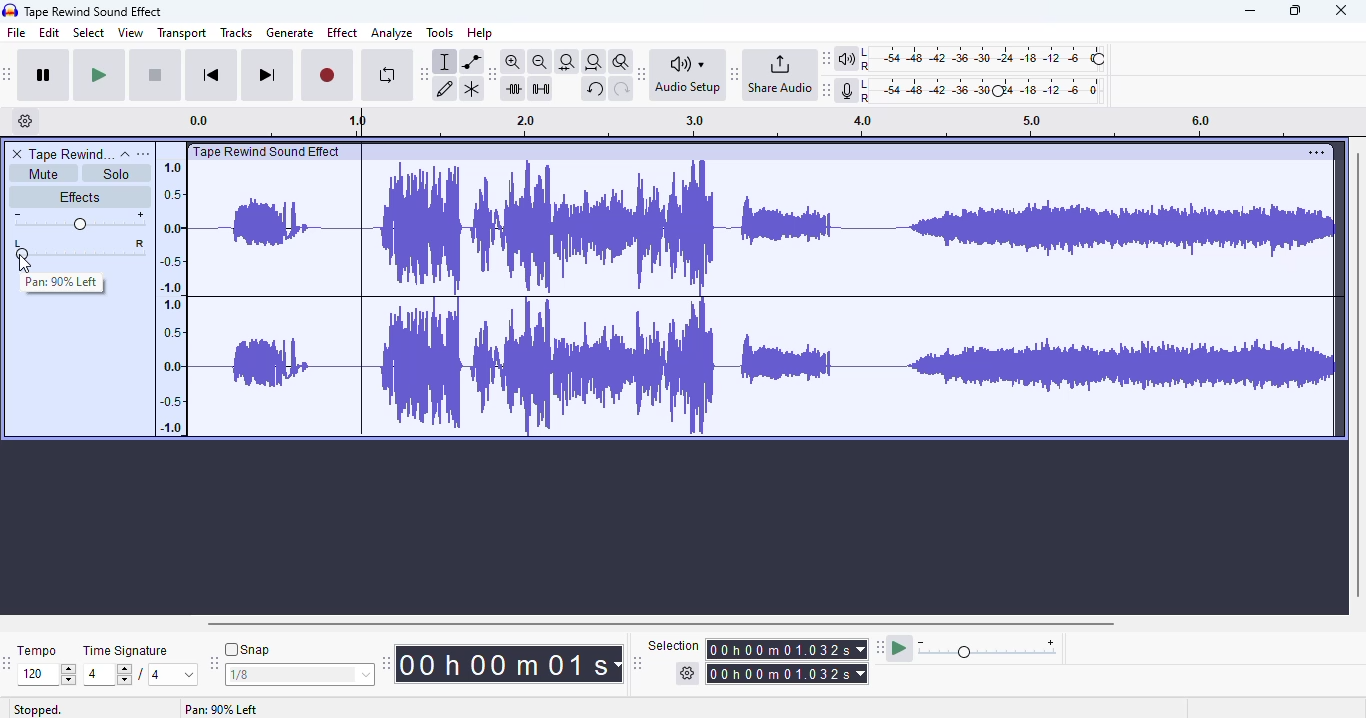  I want to click on snap, so click(247, 649).